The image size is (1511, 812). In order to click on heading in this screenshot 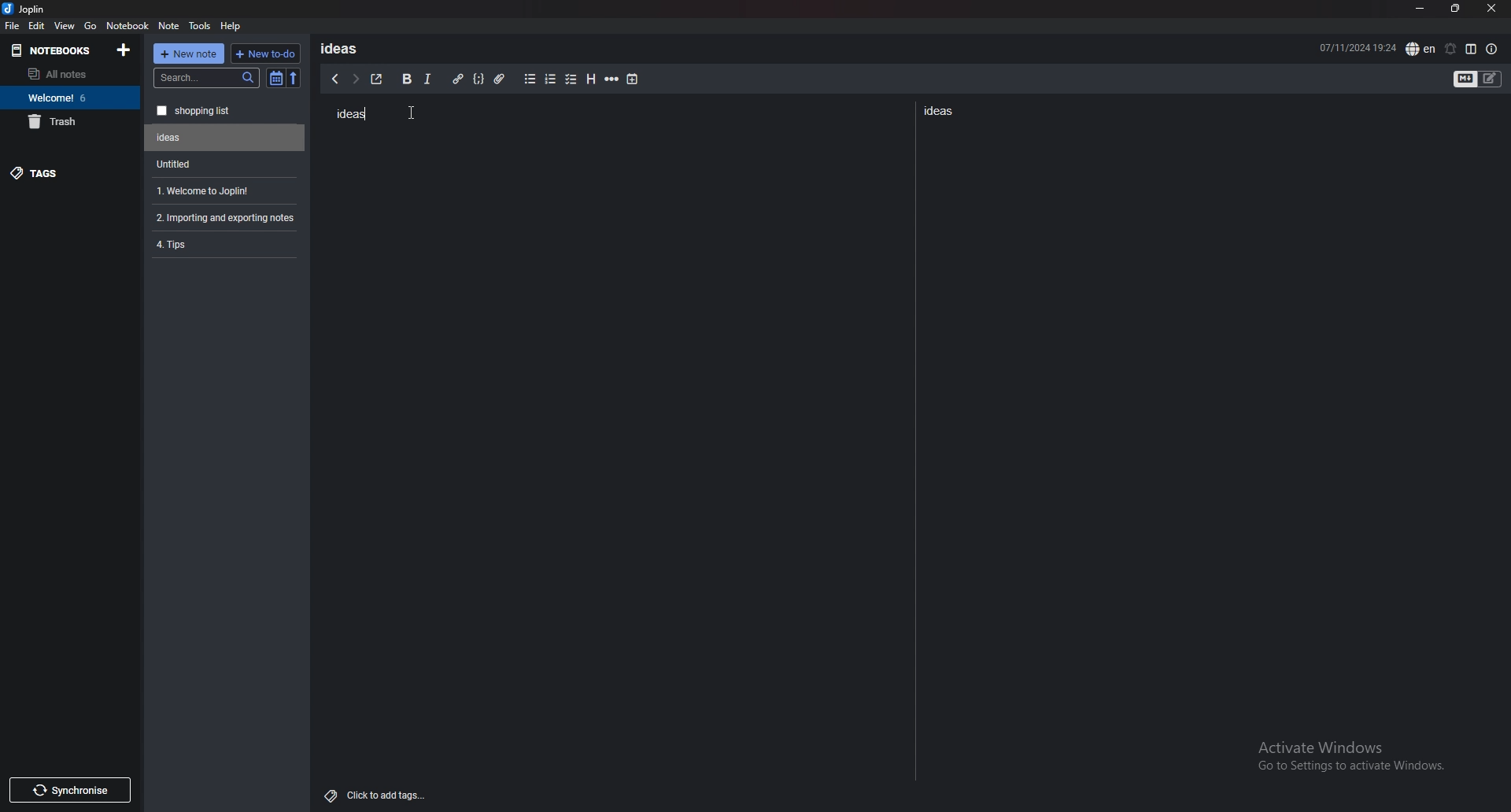, I will do `click(589, 79)`.